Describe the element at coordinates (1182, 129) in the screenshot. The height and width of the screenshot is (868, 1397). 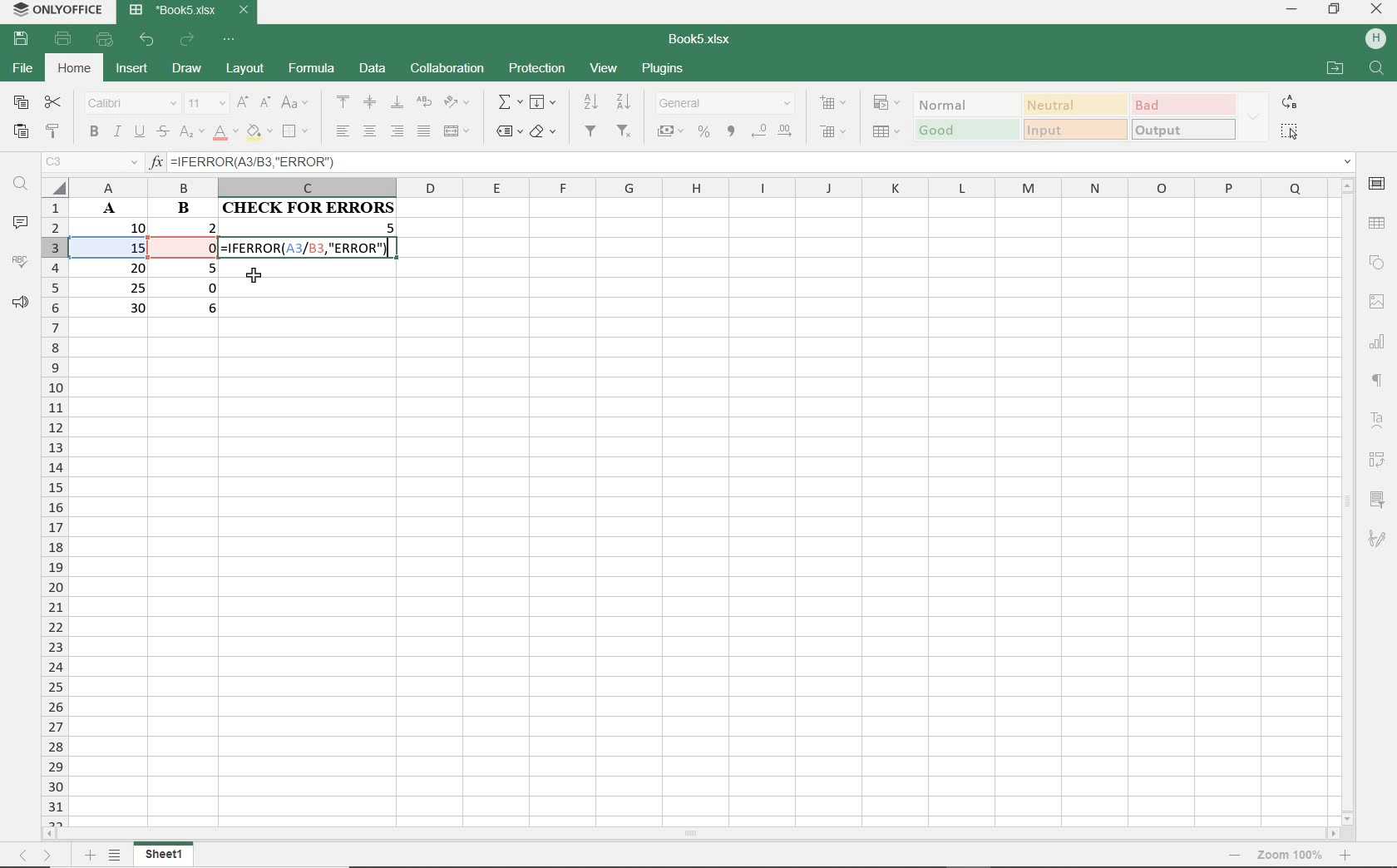
I see `OUTPUT` at that location.